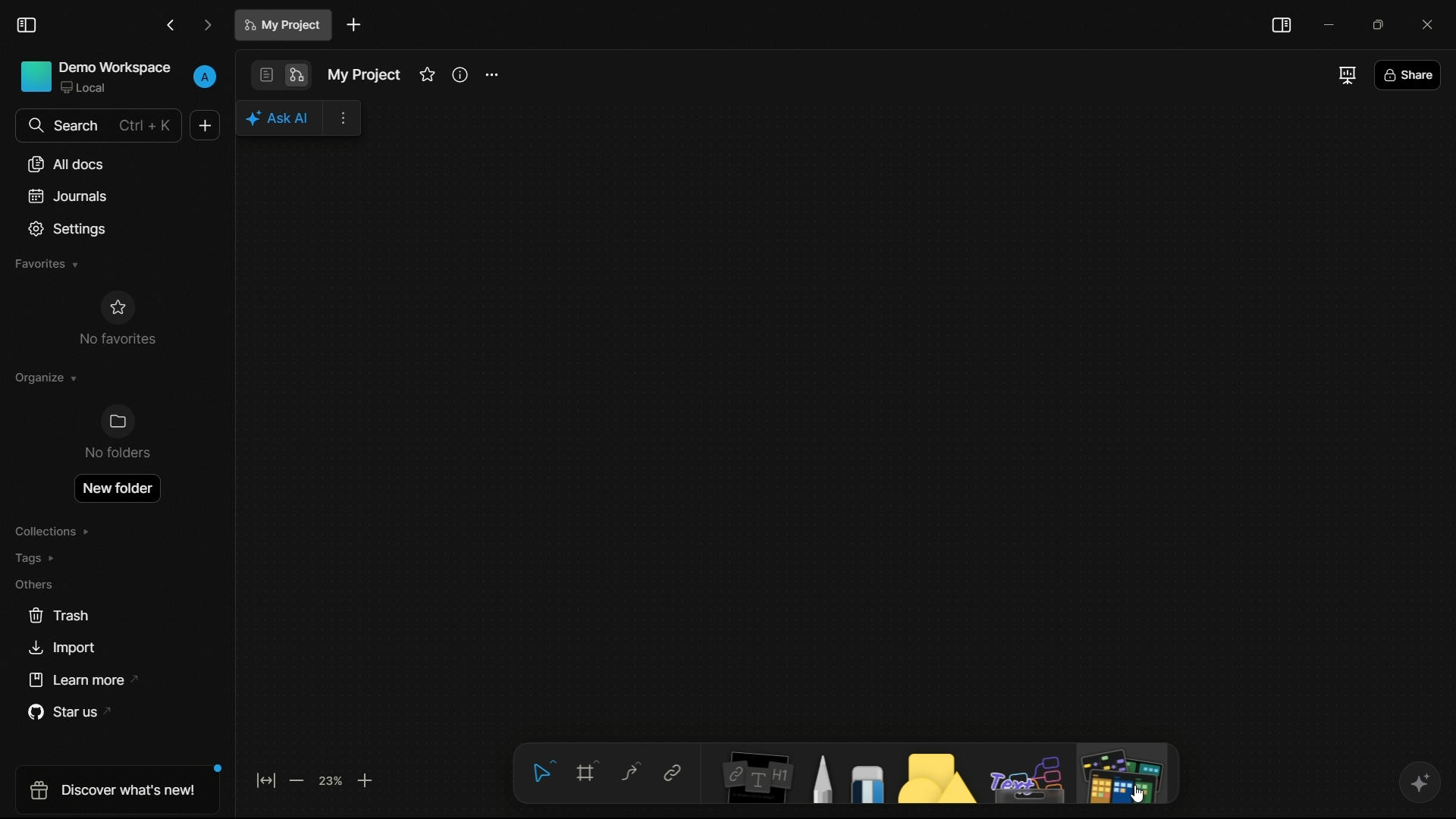 This screenshot has height=819, width=1456. I want to click on frames, so click(589, 770).